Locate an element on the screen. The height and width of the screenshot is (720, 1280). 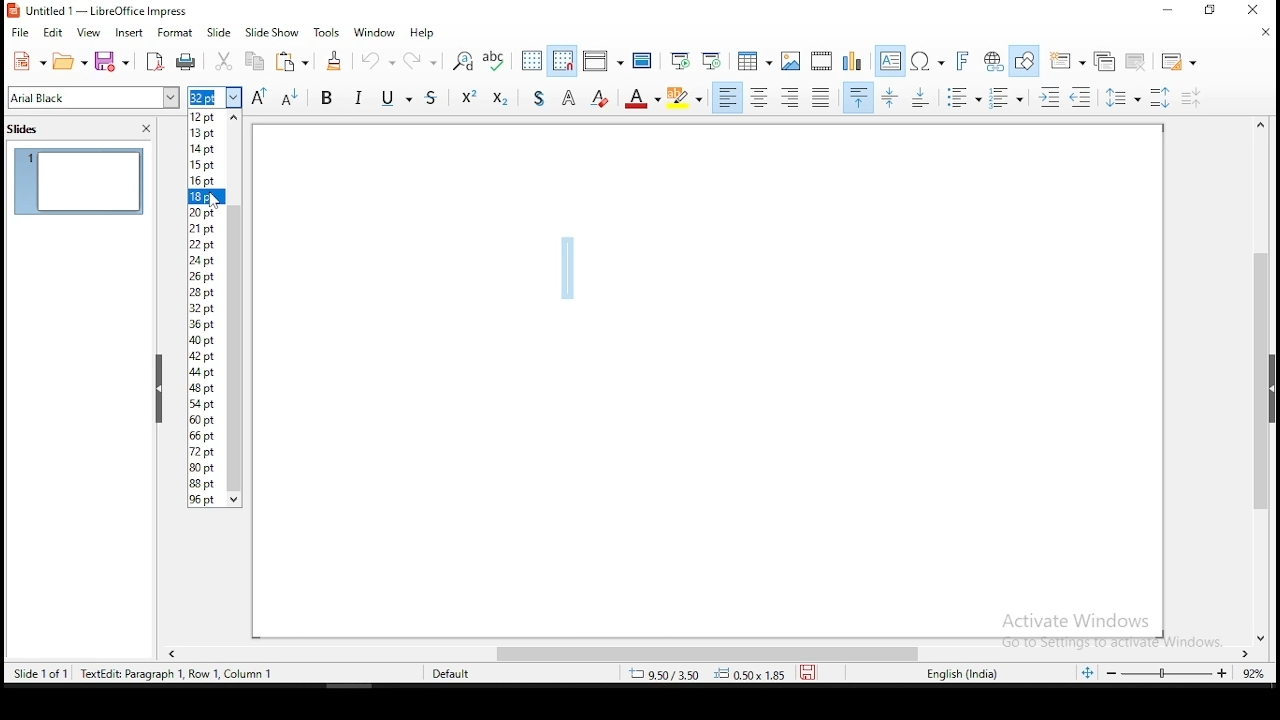
Decrease Line Spacing is located at coordinates (1192, 98).